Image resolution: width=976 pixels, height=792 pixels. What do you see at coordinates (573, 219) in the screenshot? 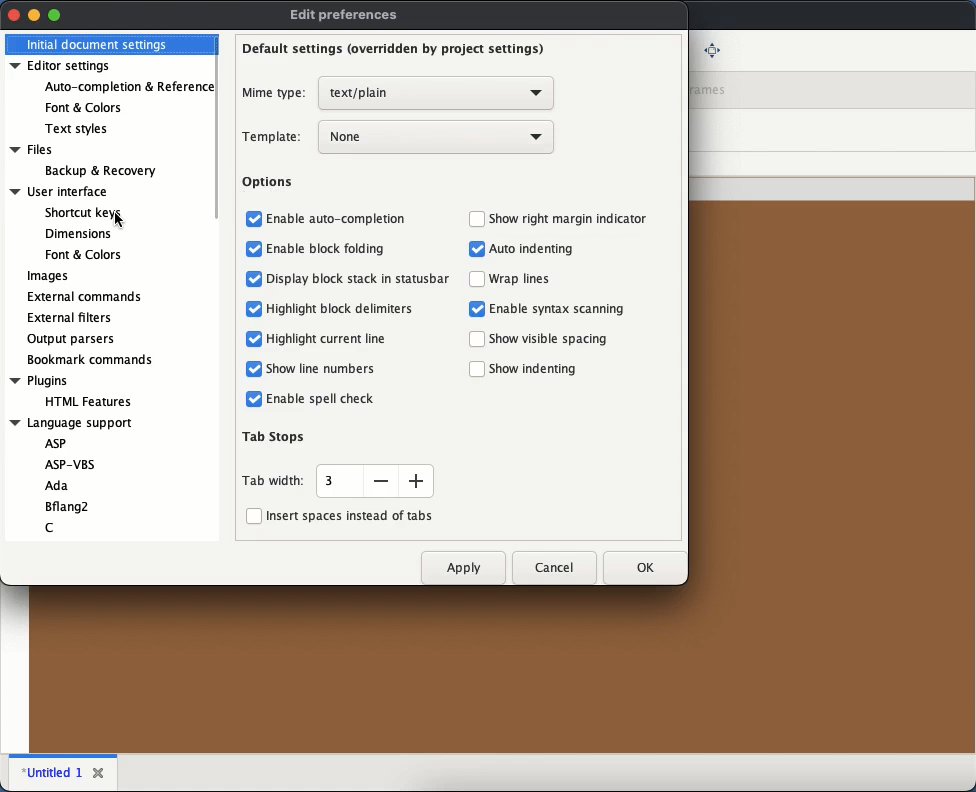
I see `Show right margin indicator` at bounding box center [573, 219].